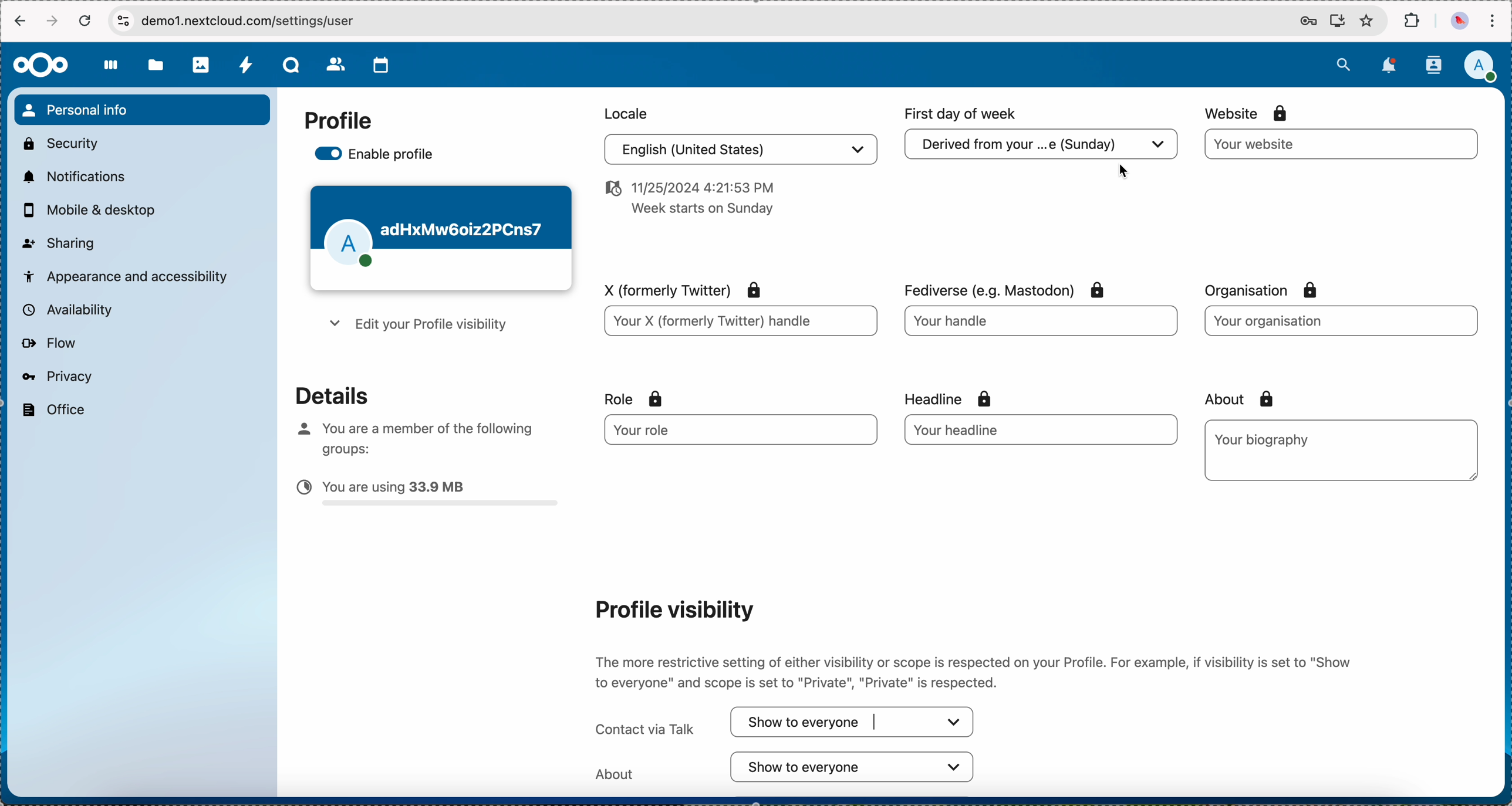 The height and width of the screenshot is (806, 1512). I want to click on website, so click(1248, 113).